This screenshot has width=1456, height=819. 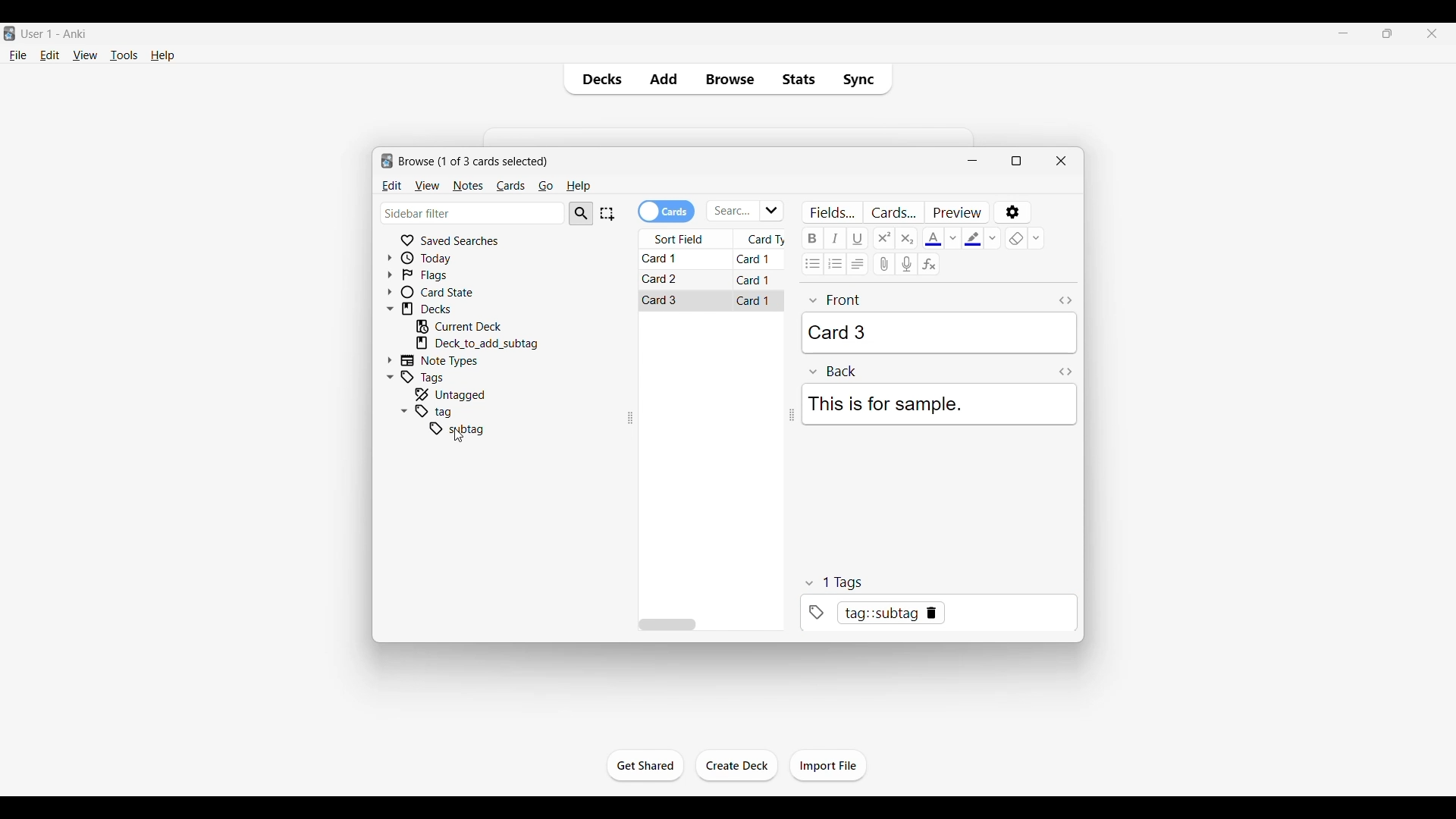 What do you see at coordinates (473, 162) in the screenshot?
I see `Number of cards to browse and window name` at bounding box center [473, 162].